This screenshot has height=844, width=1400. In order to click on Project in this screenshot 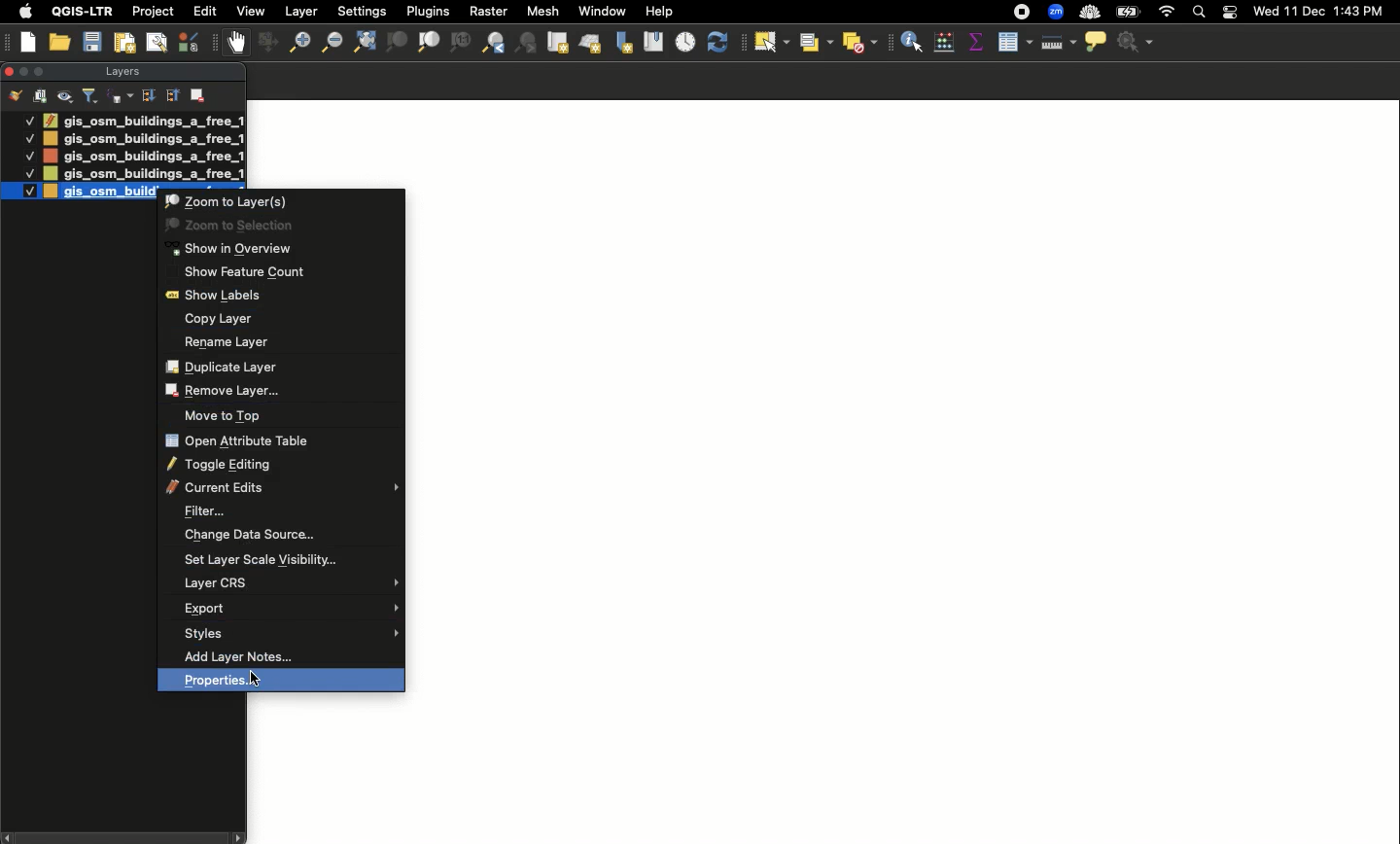, I will do `click(153, 13)`.